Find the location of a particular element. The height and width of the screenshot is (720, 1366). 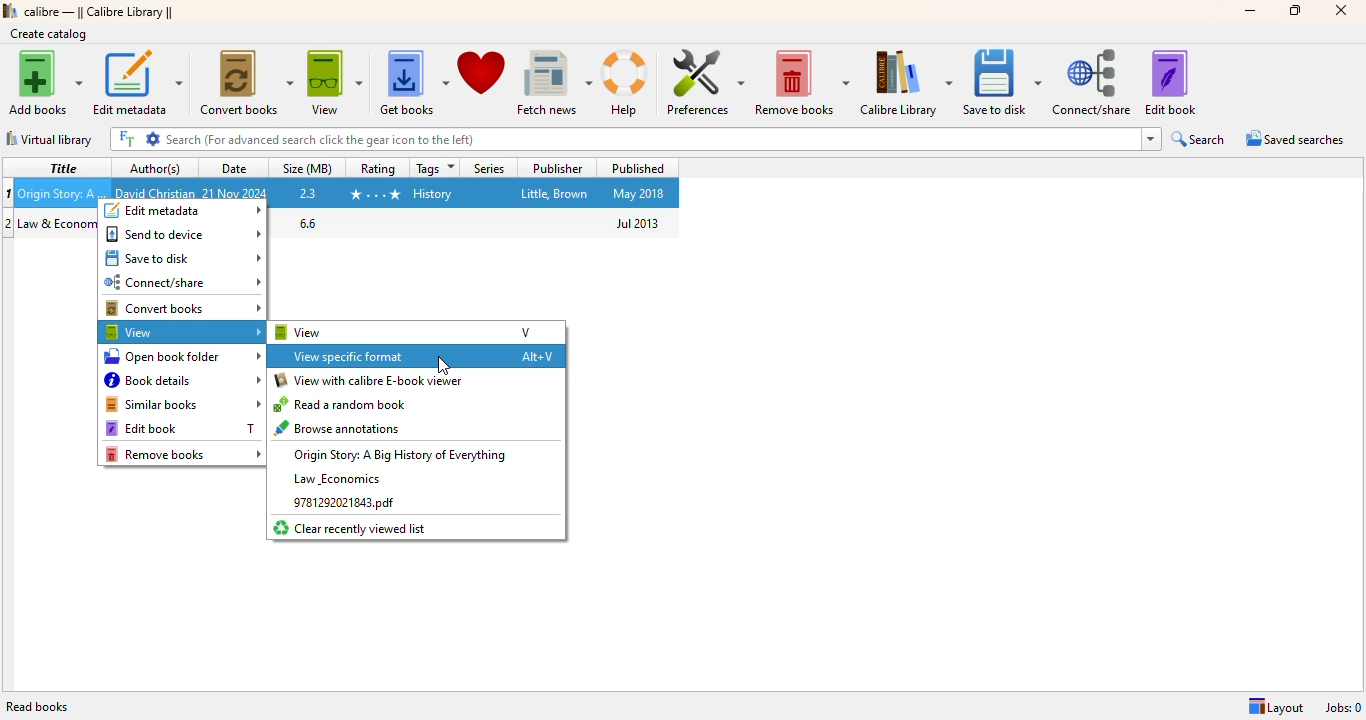

logo is located at coordinates (10, 11).